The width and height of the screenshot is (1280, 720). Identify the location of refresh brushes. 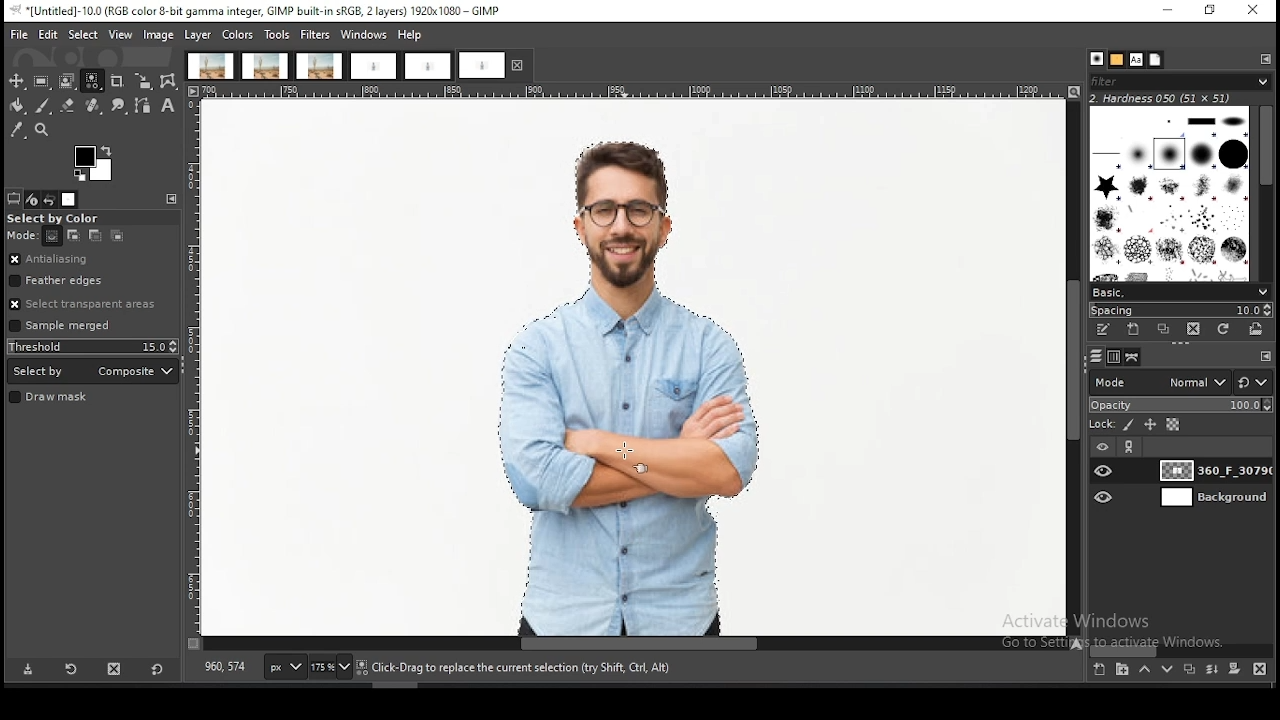
(1221, 330).